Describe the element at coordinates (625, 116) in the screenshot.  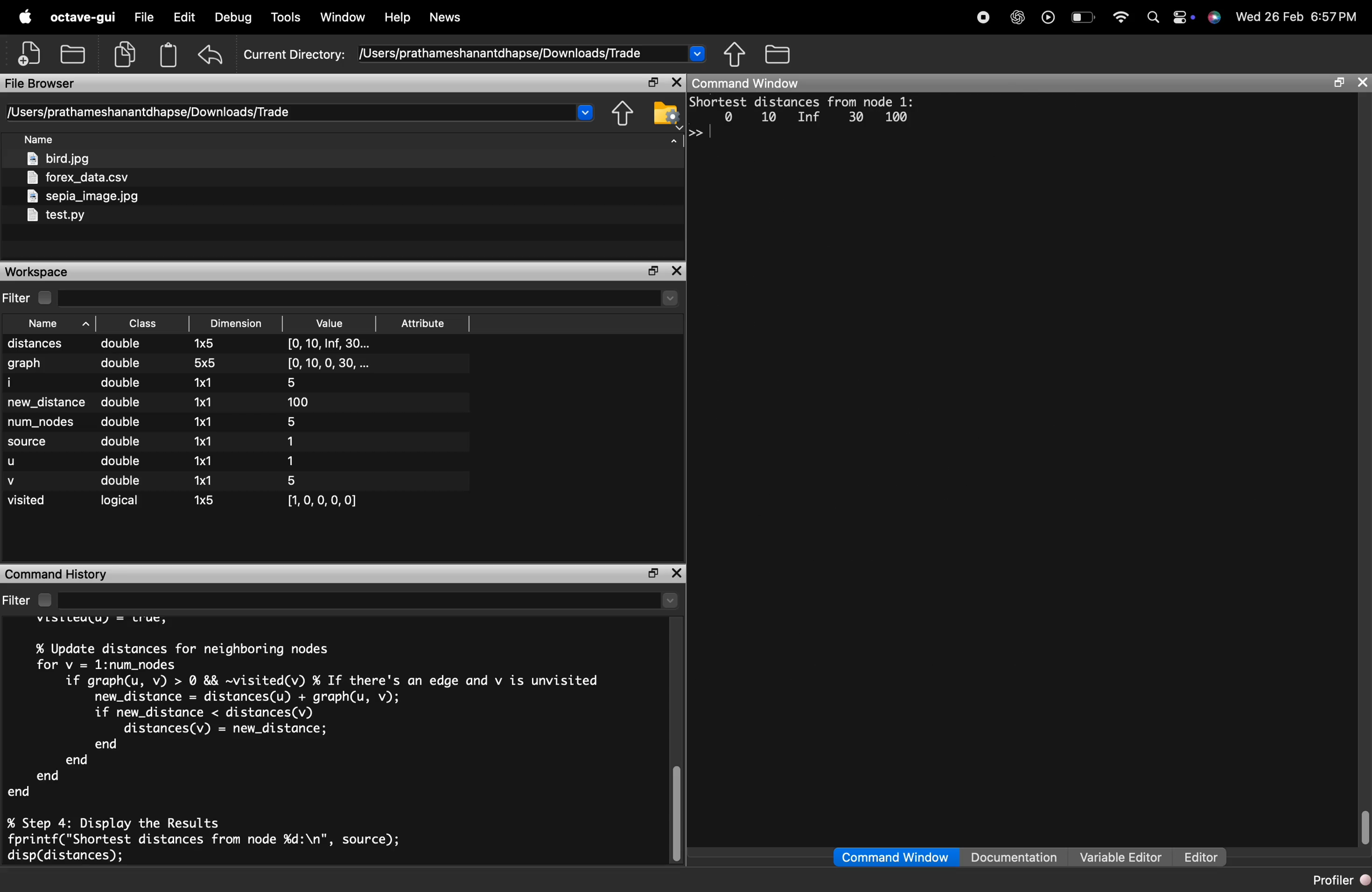
I see `one directory up` at that location.